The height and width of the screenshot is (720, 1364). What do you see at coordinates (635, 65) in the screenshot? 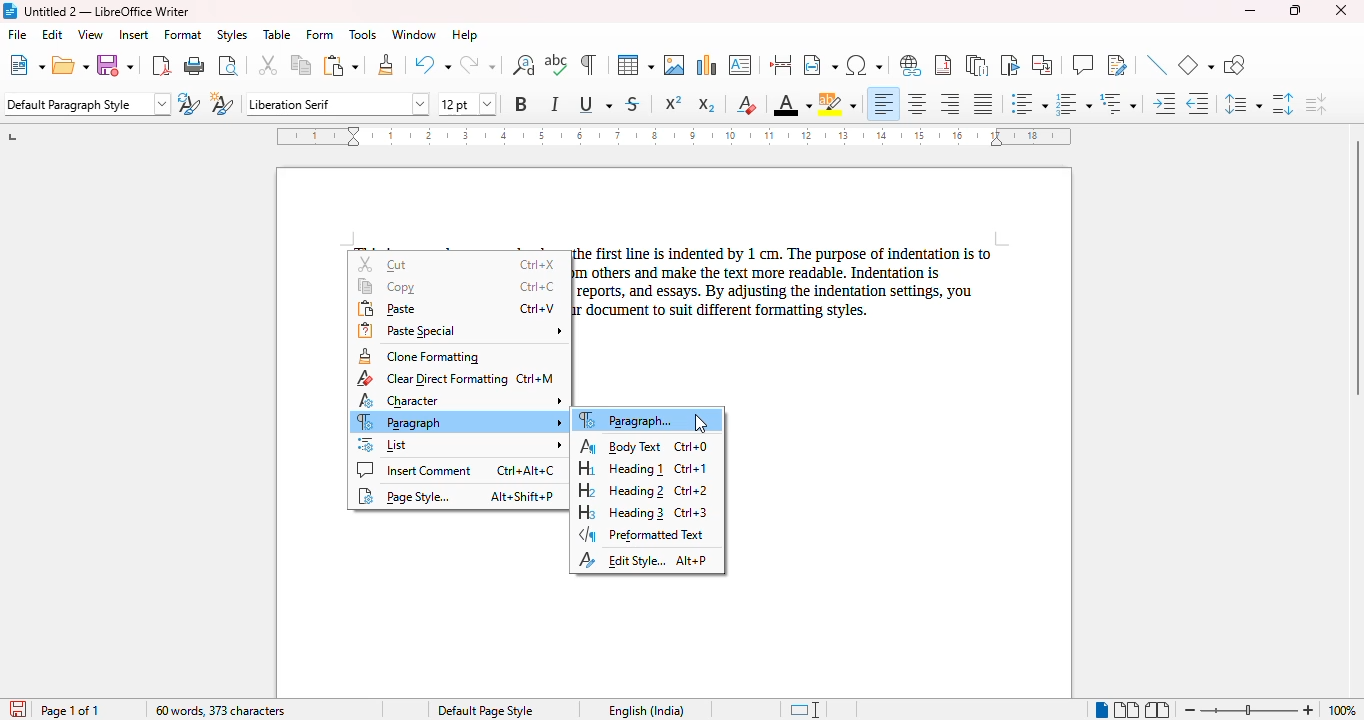
I see `table` at bounding box center [635, 65].